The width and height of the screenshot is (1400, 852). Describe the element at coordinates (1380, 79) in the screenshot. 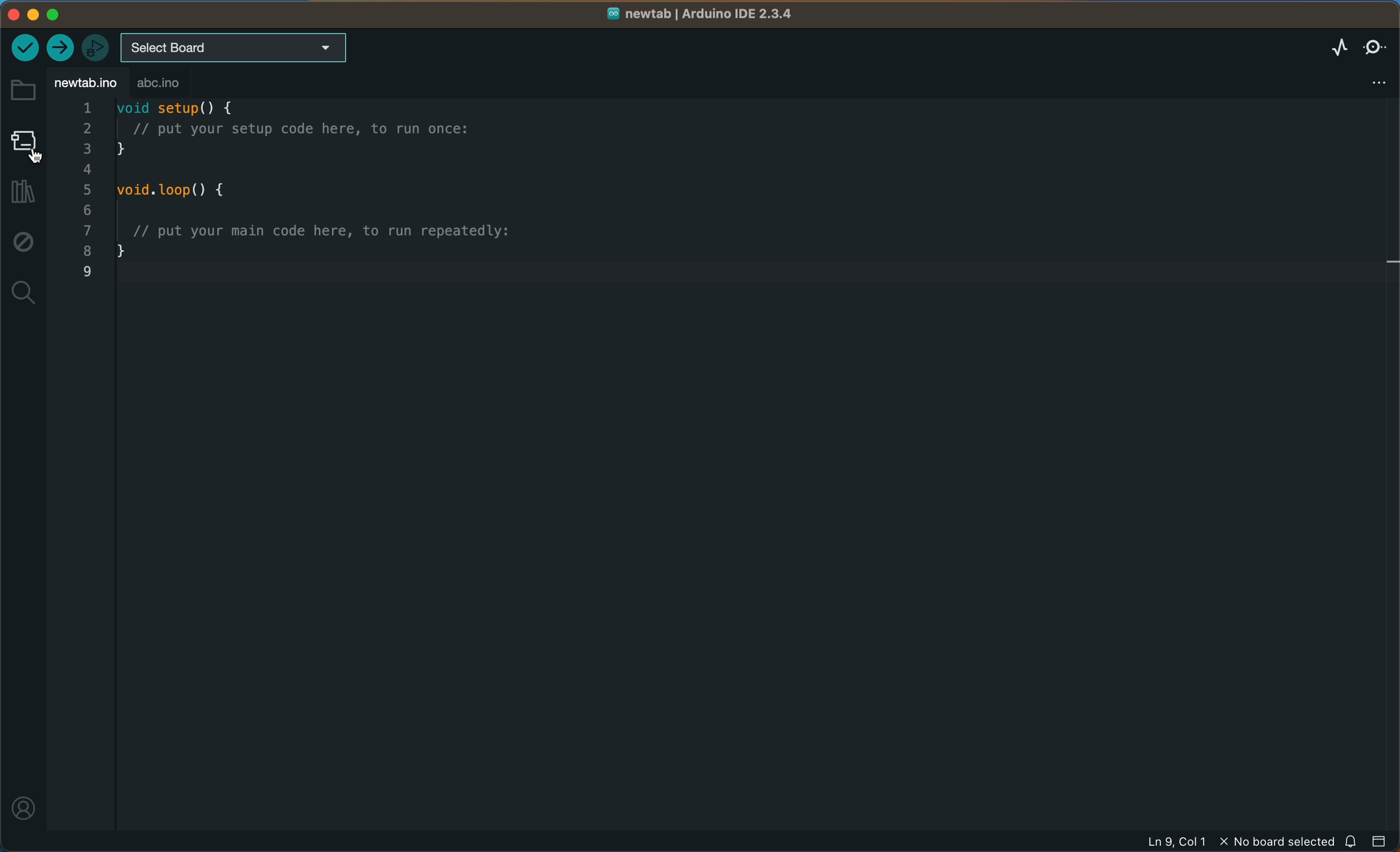

I see `file setting` at that location.